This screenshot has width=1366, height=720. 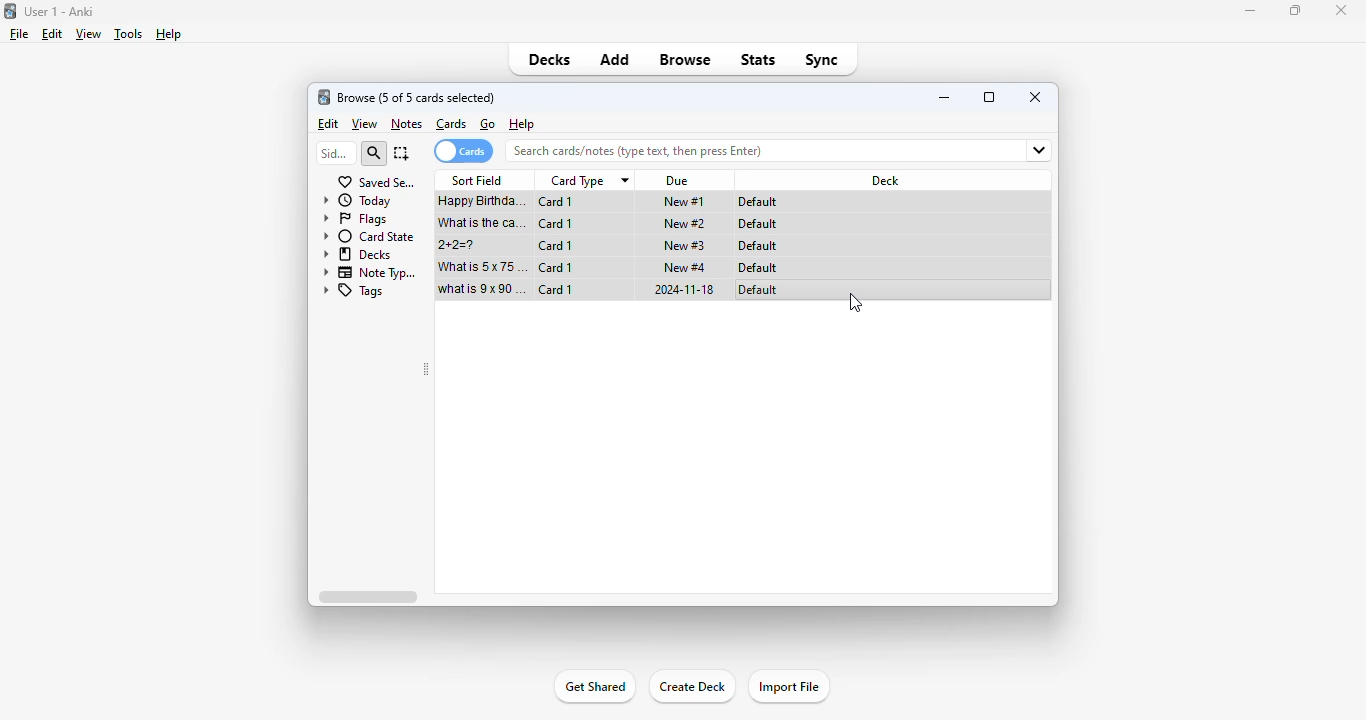 I want to click on decks, so click(x=358, y=254).